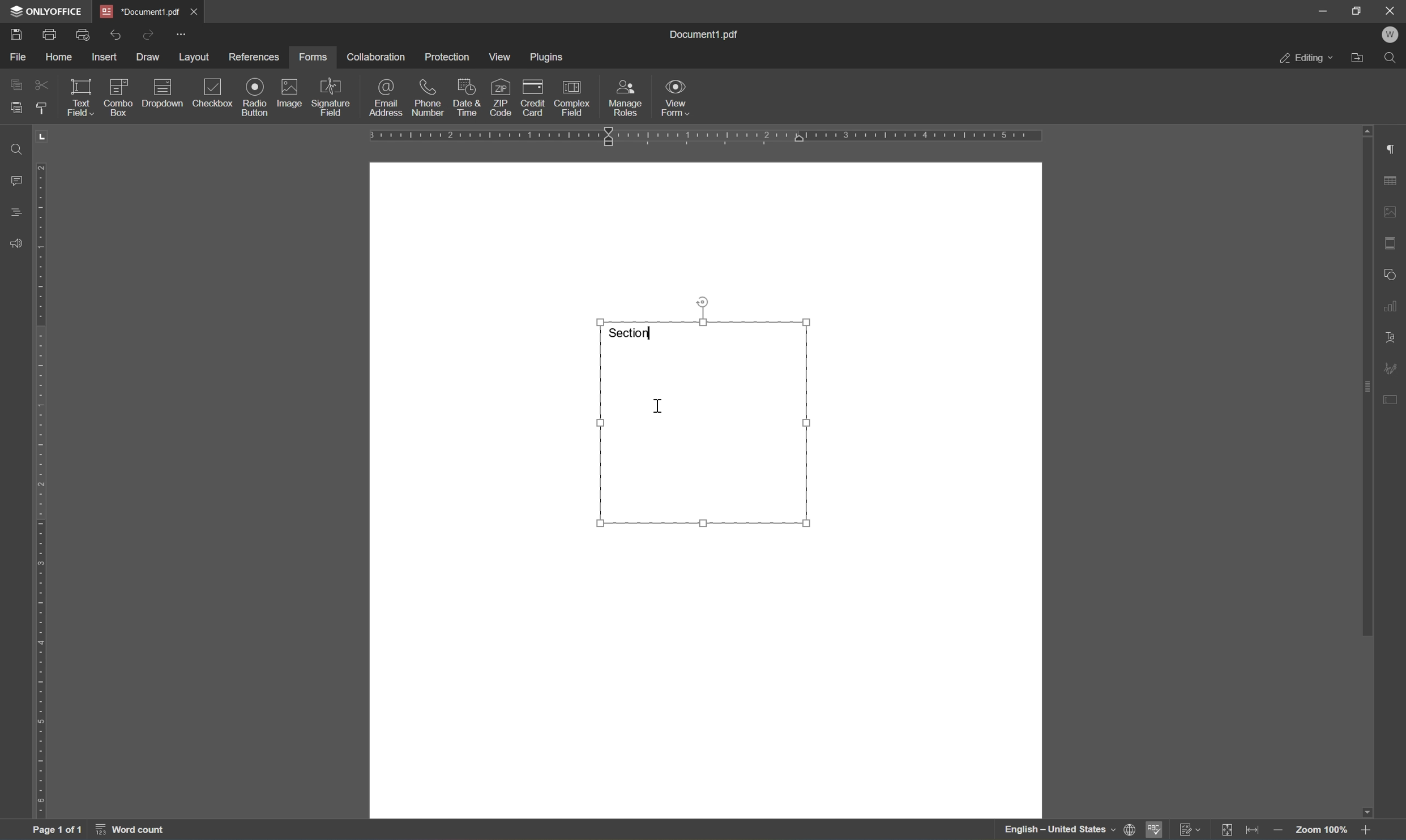 The height and width of the screenshot is (840, 1406). What do you see at coordinates (194, 57) in the screenshot?
I see `layout` at bounding box center [194, 57].